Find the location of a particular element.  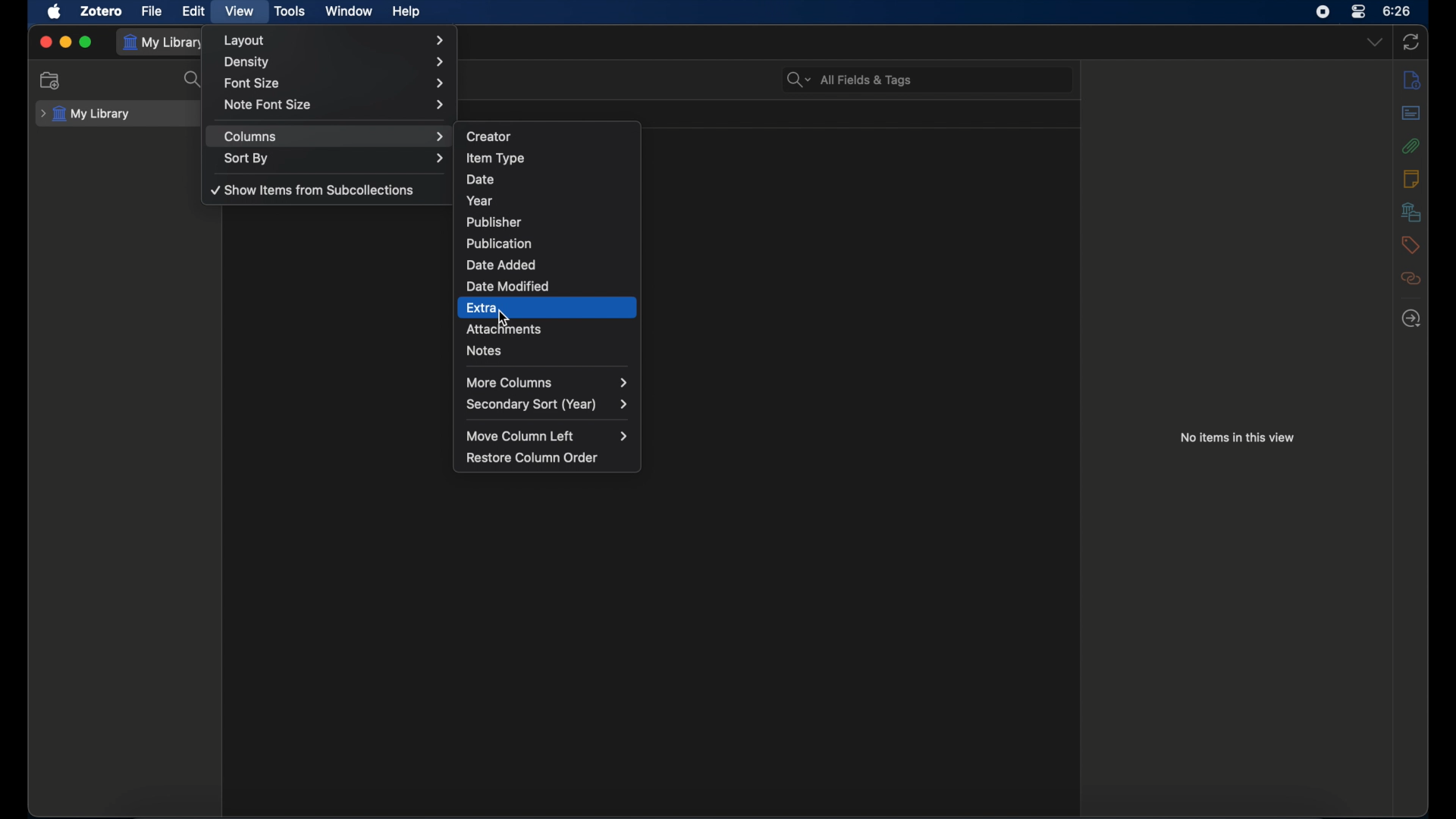

restore  column order is located at coordinates (535, 457).